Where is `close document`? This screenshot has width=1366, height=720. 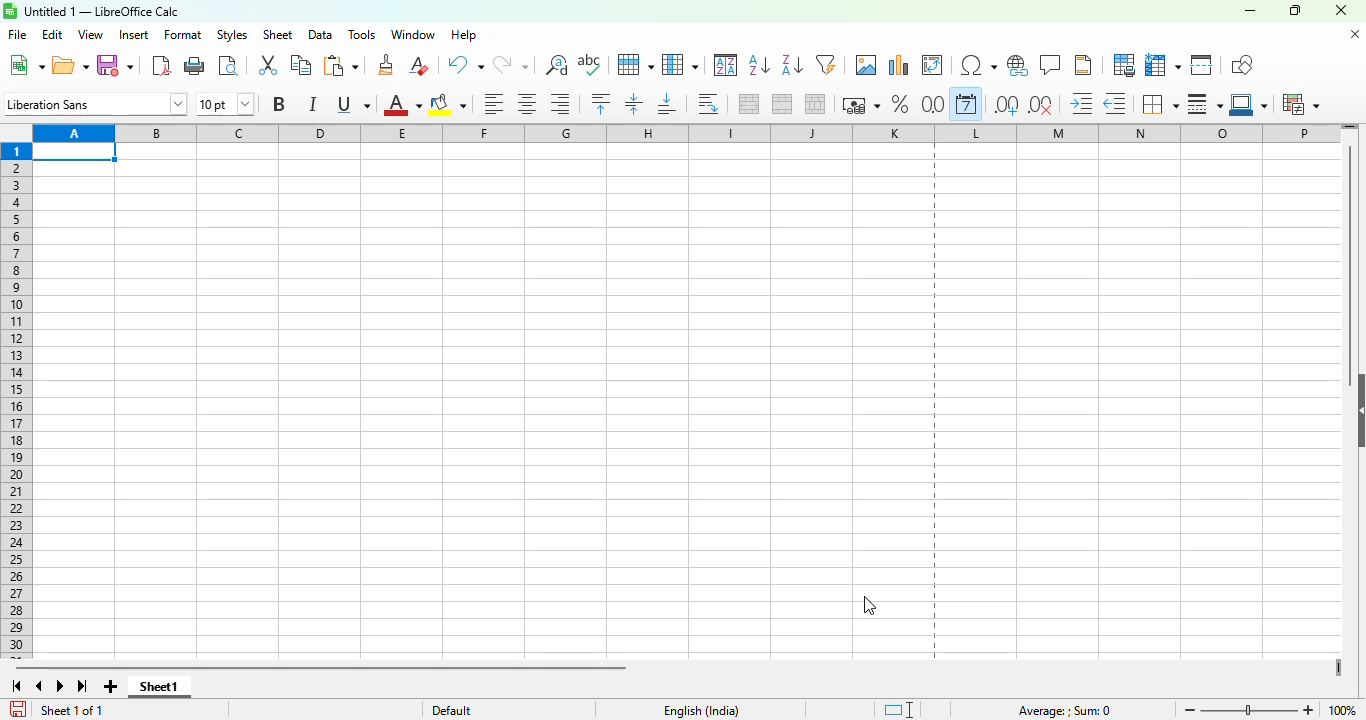
close document is located at coordinates (1356, 34).